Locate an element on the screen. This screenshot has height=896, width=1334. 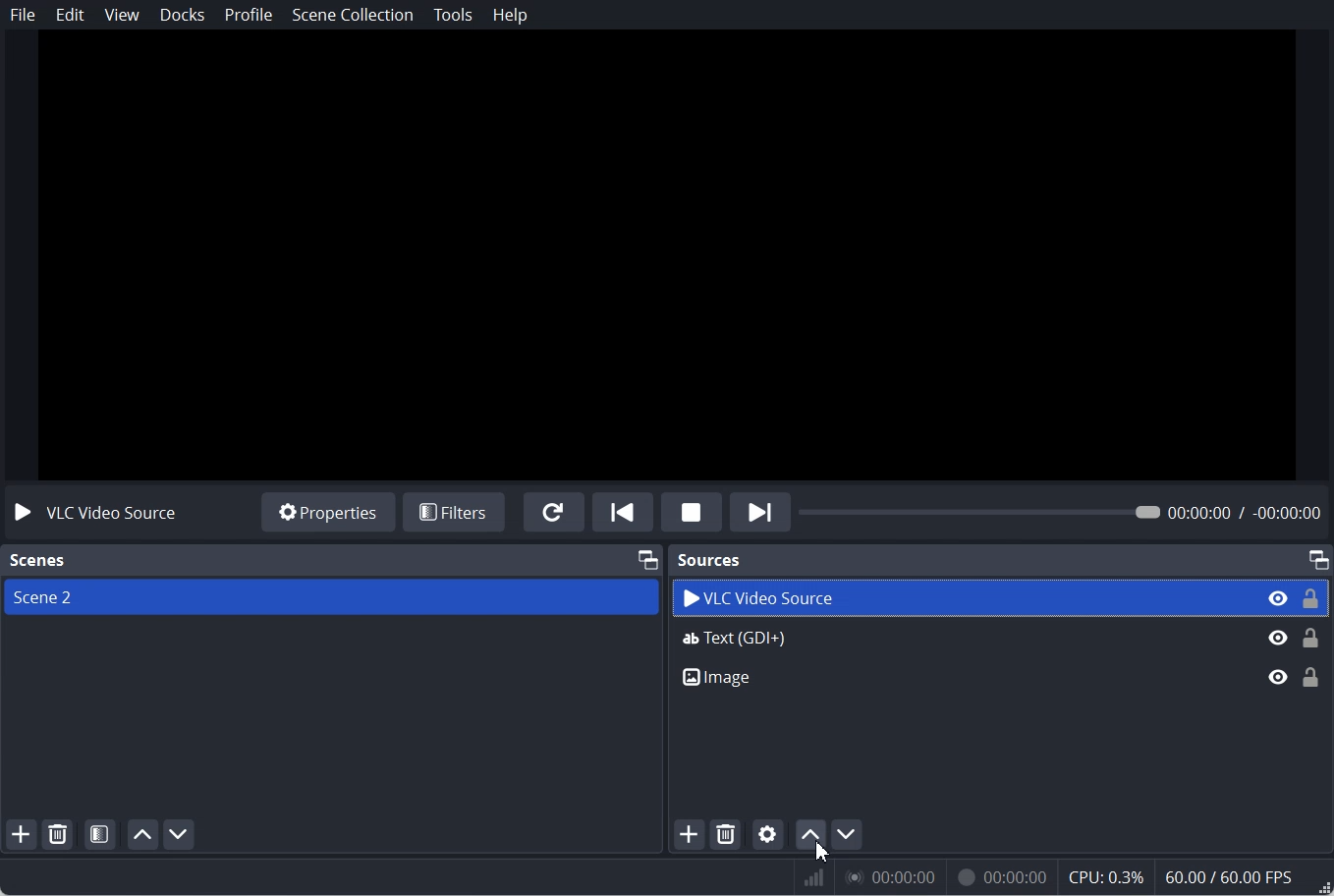
Maximize is located at coordinates (646, 559).